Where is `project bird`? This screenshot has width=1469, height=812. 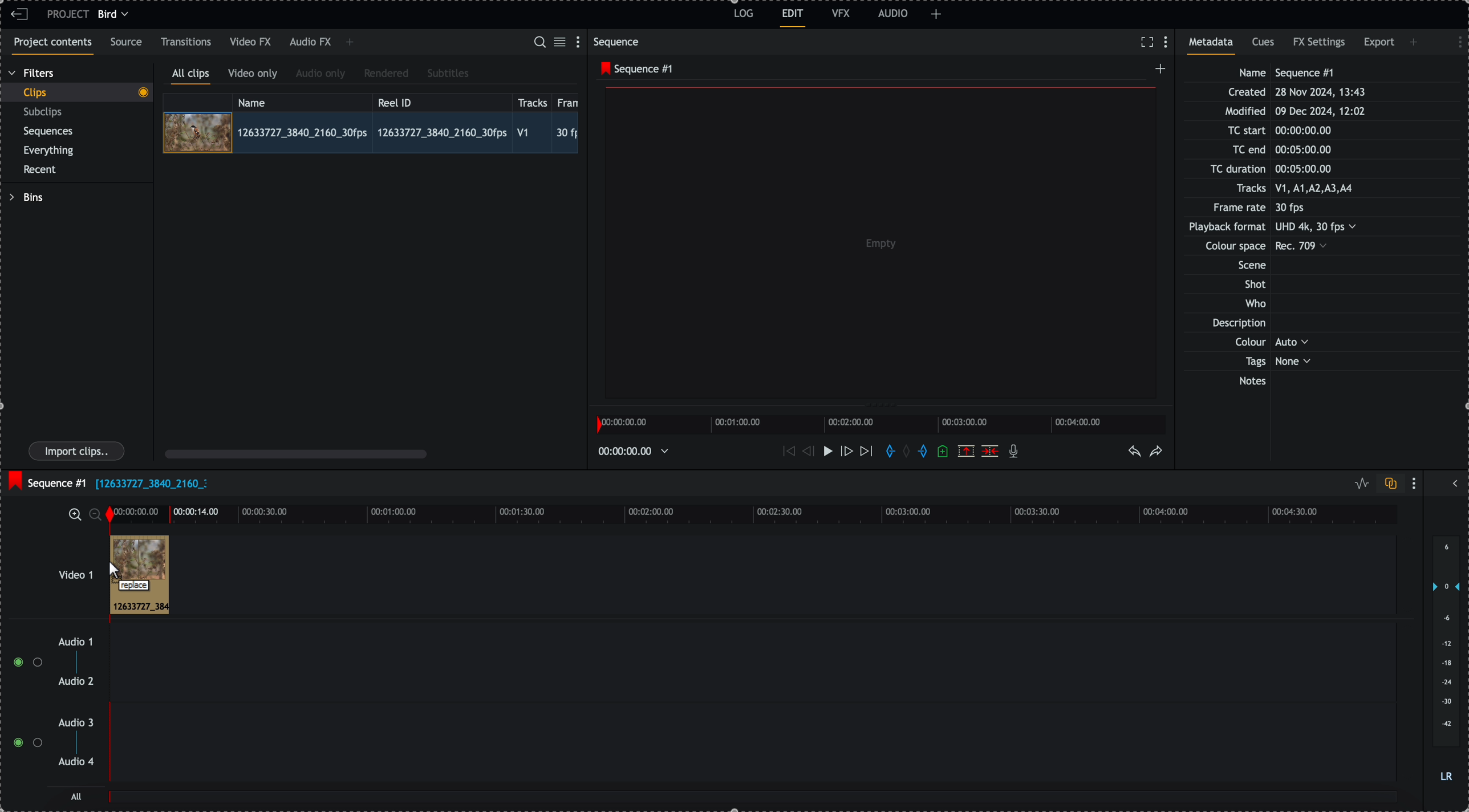 project bird is located at coordinates (91, 14).